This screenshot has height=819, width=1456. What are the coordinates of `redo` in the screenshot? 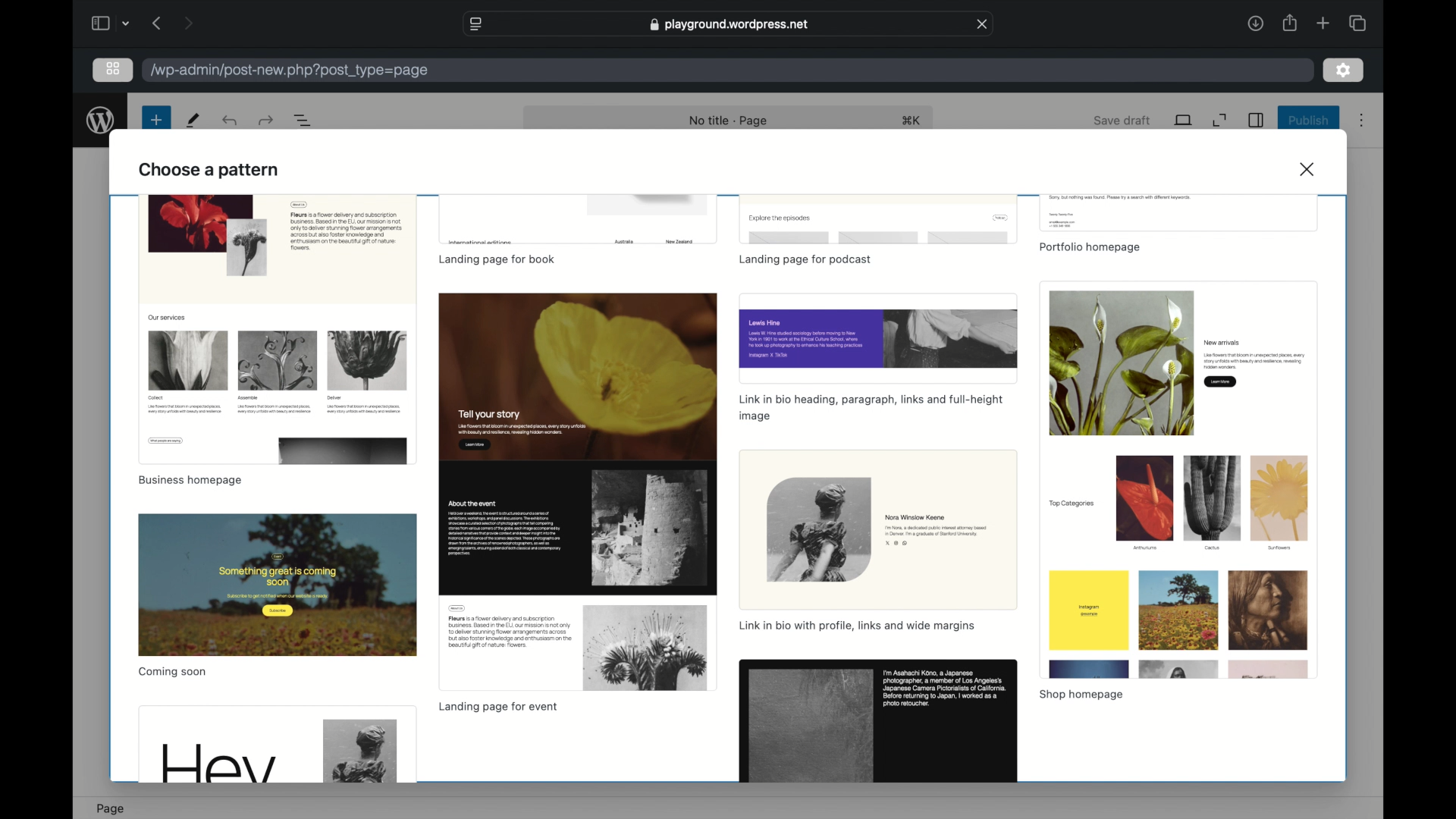 It's located at (231, 121).